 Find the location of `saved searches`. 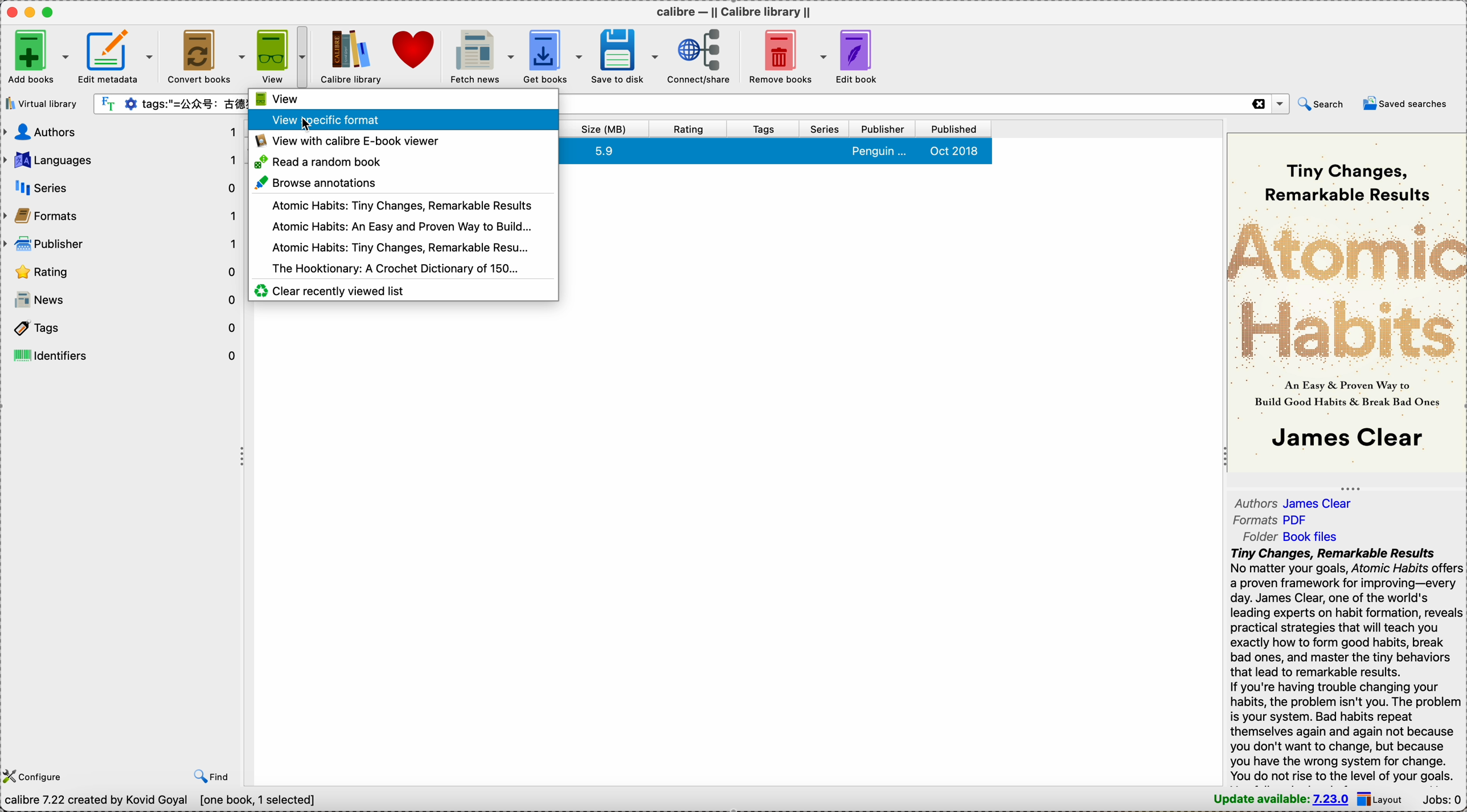

saved searches is located at coordinates (1408, 102).